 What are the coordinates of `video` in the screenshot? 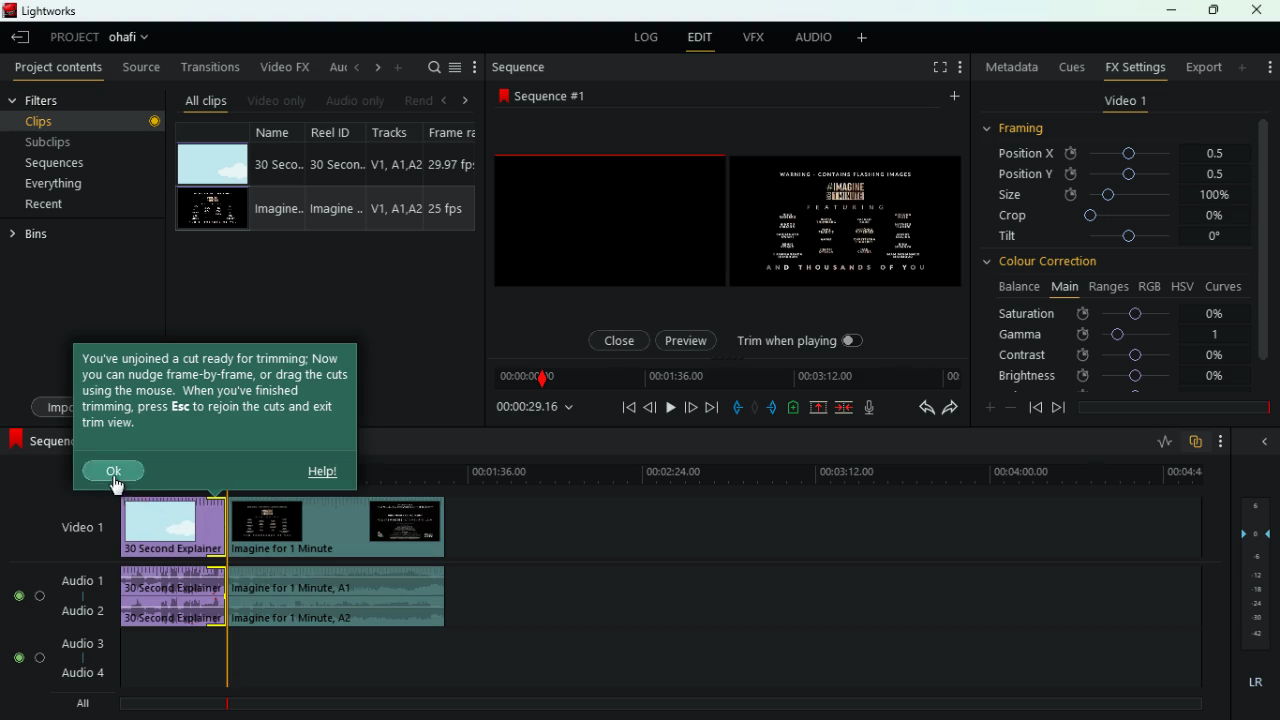 It's located at (211, 164).